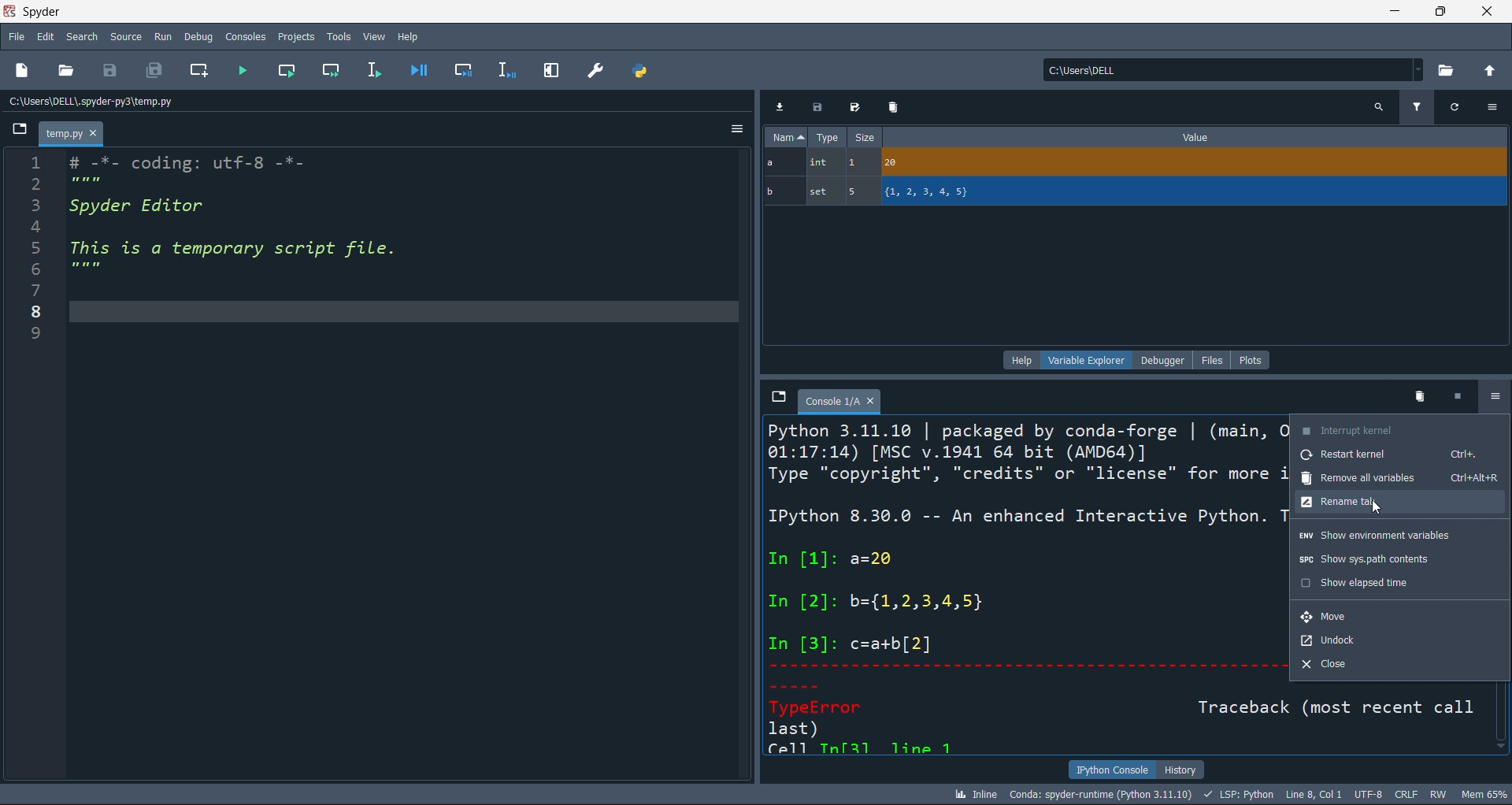 This screenshot has height=805, width=1512. What do you see at coordinates (1492, 398) in the screenshot?
I see `options` at bounding box center [1492, 398].